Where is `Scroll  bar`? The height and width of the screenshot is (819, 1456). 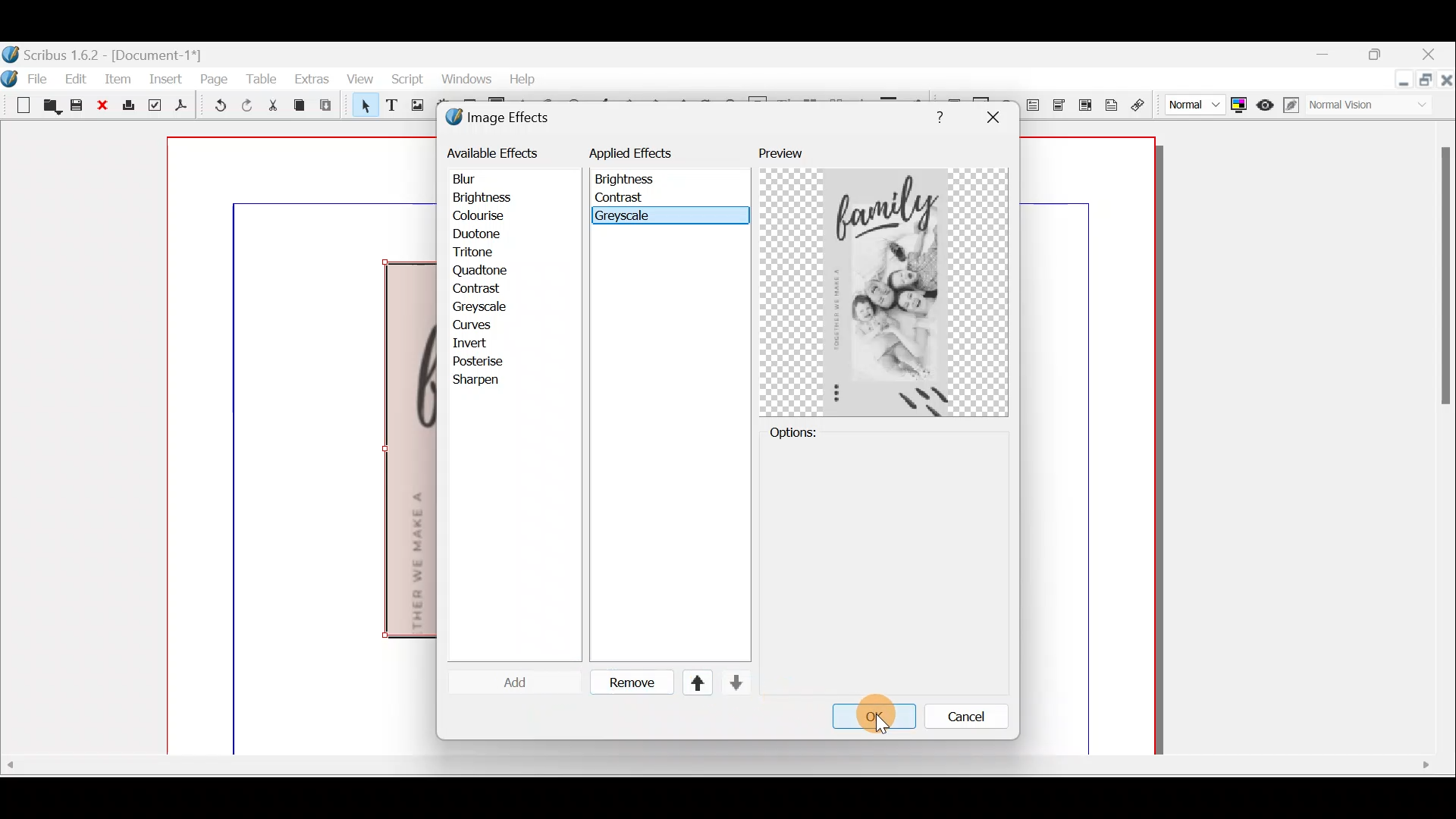
Scroll  bar is located at coordinates (726, 777).